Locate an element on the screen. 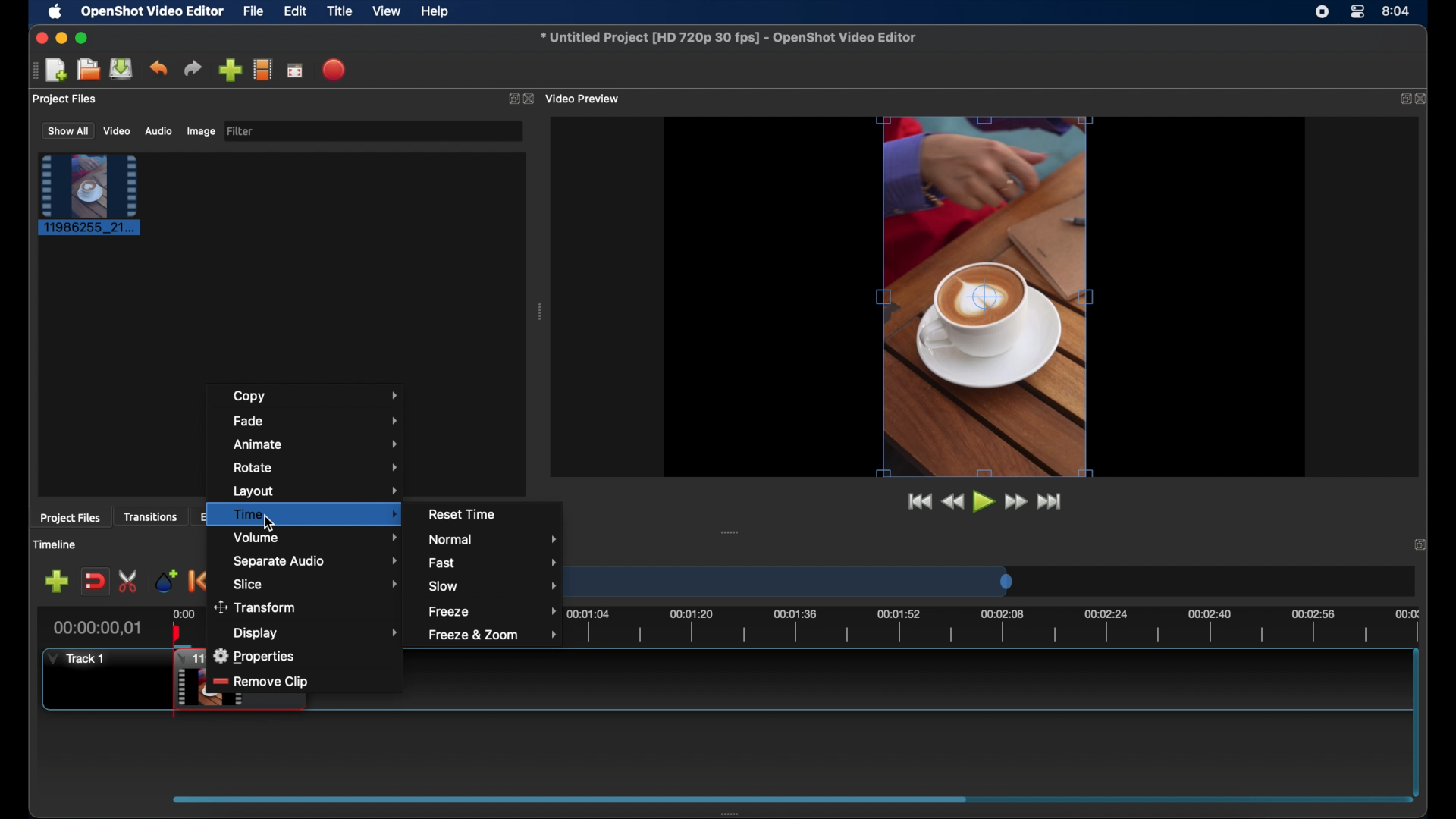  drag handle is located at coordinates (739, 811).